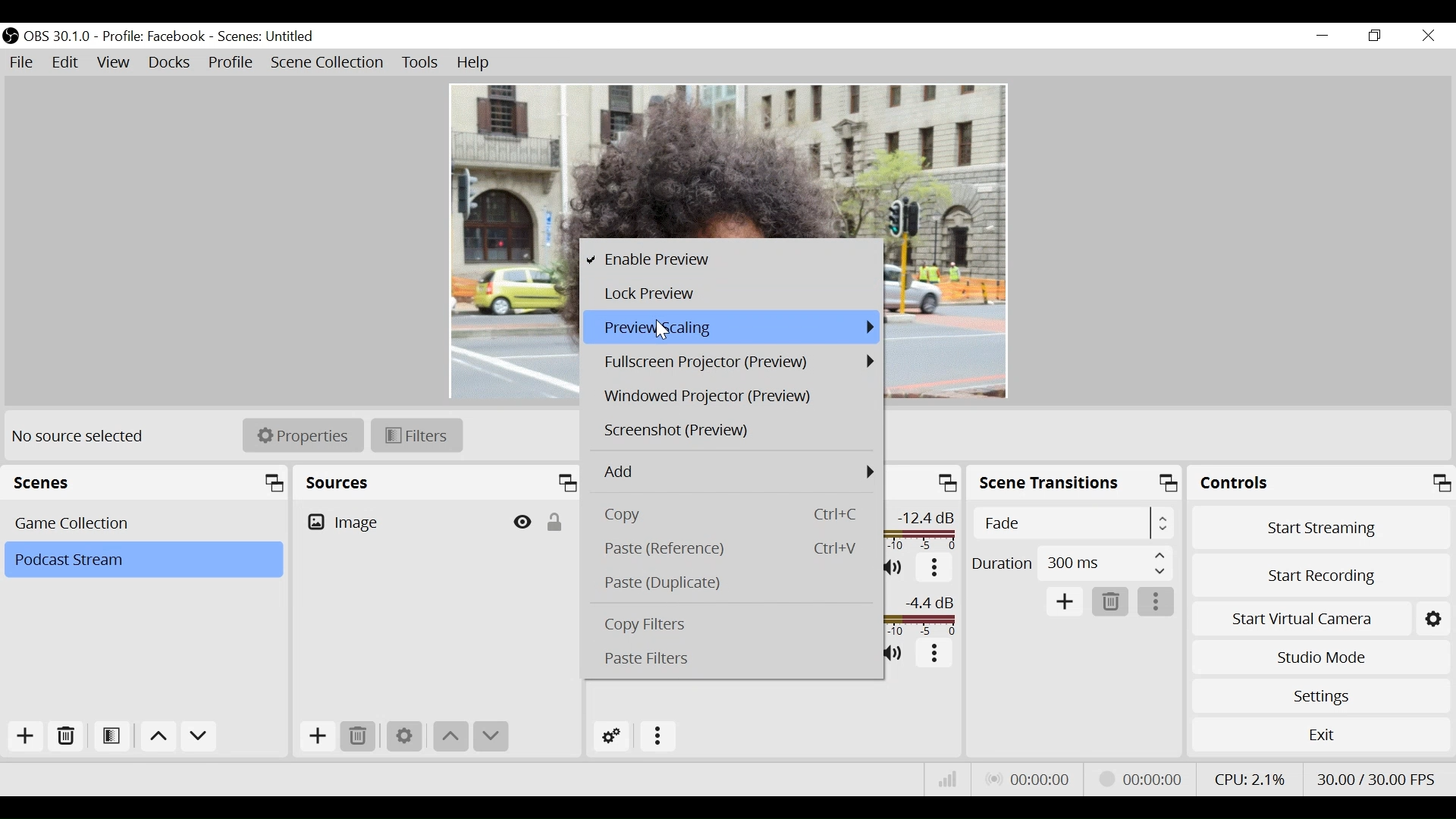 This screenshot has width=1456, height=819. What do you see at coordinates (171, 64) in the screenshot?
I see `Docks` at bounding box center [171, 64].